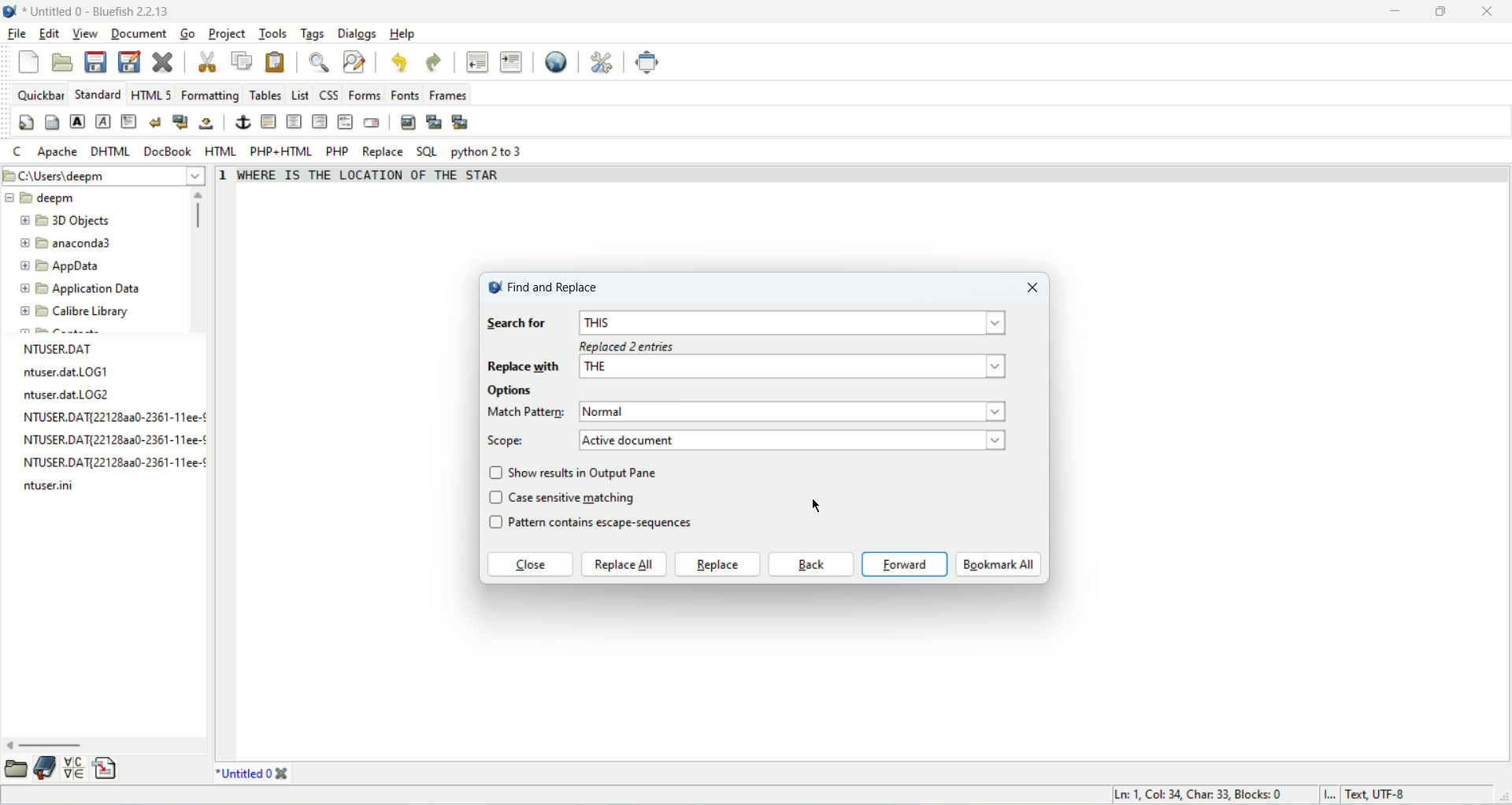 The width and height of the screenshot is (1512, 805). Describe the element at coordinates (205, 124) in the screenshot. I see `non breaking space` at that location.